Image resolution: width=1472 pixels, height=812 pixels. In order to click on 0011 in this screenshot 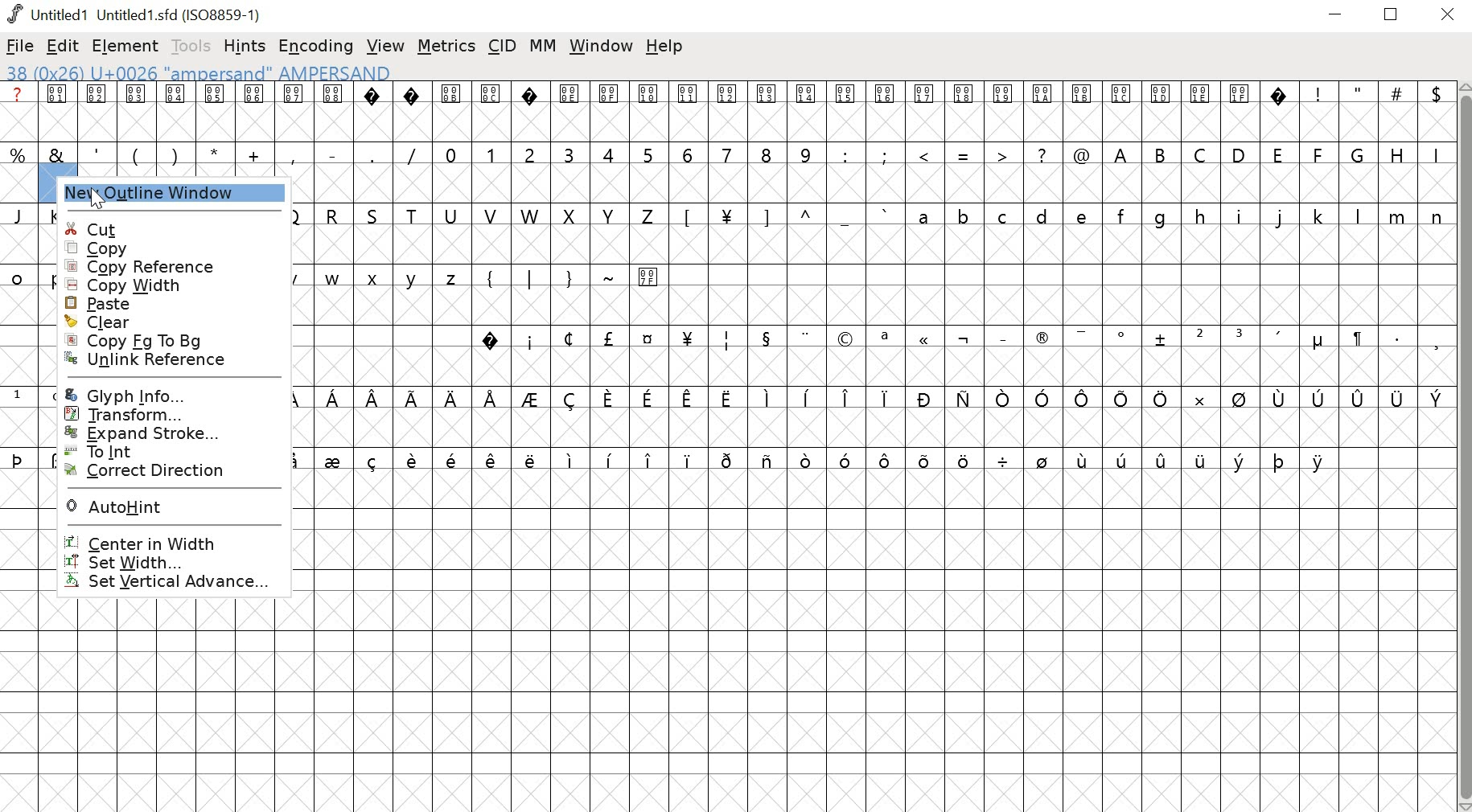, I will do `click(692, 111)`.